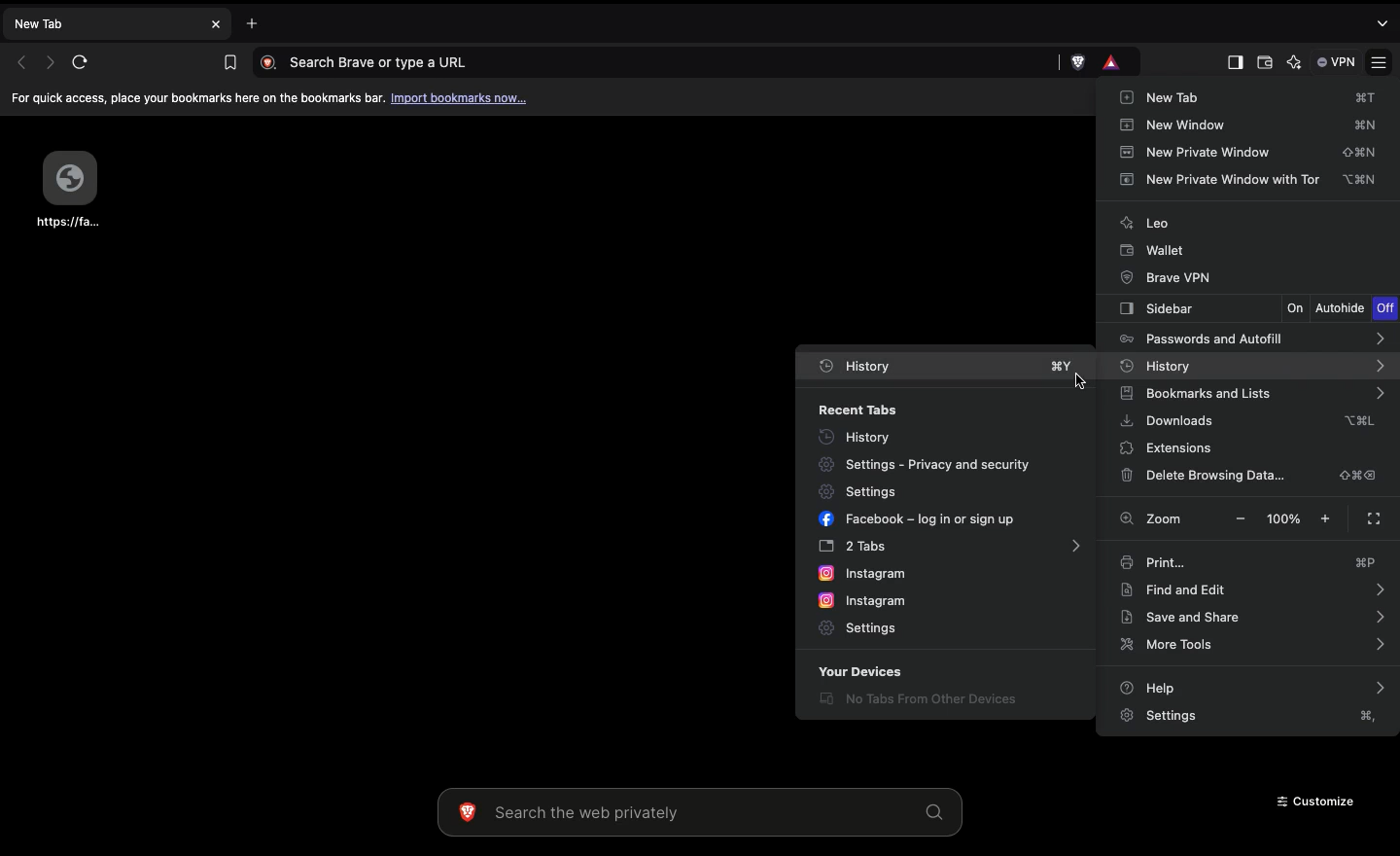  What do you see at coordinates (1113, 61) in the screenshot?
I see `rewards` at bounding box center [1113, 61].